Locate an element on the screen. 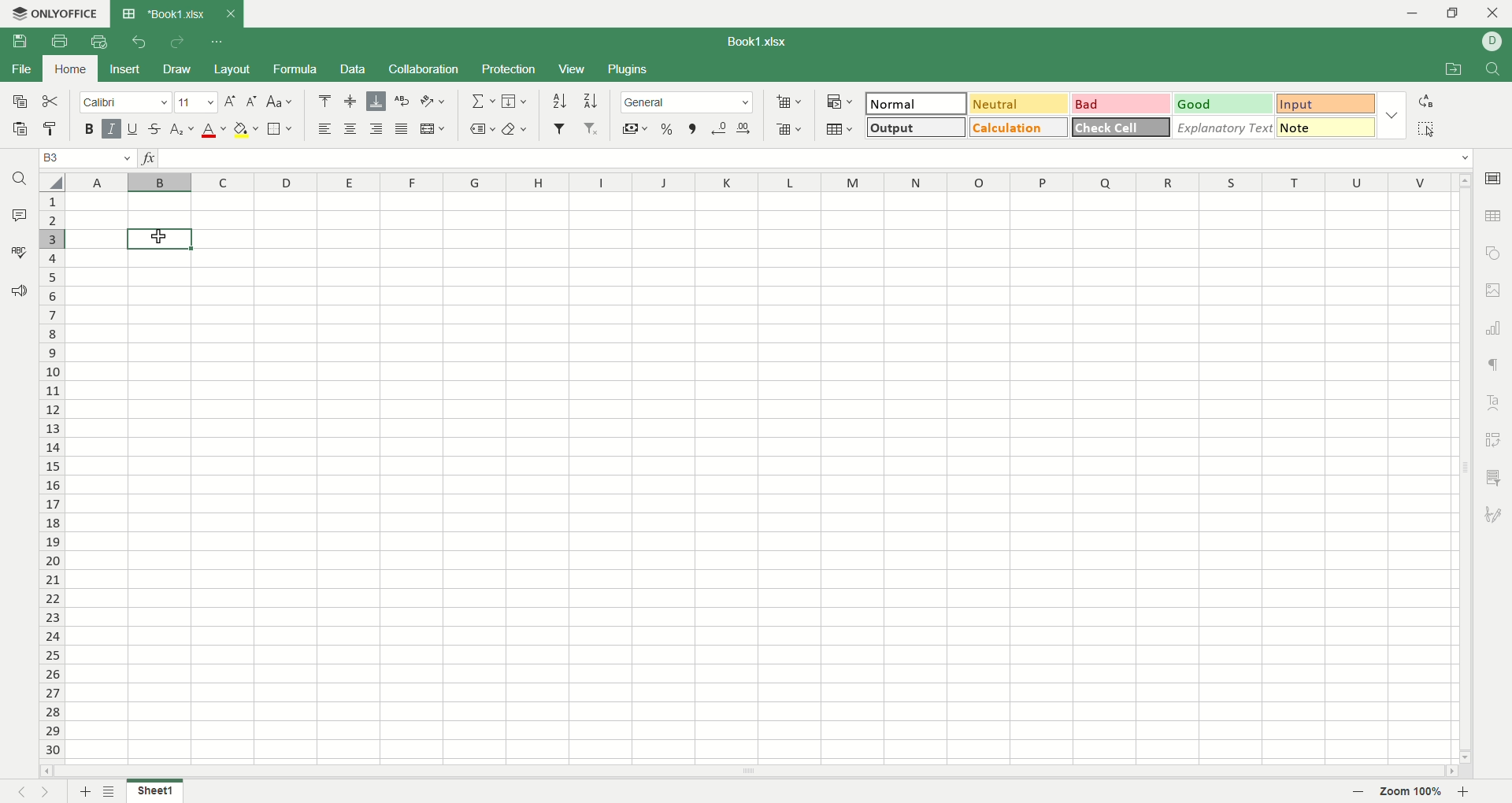 The height and width of the screenshot is (803, 1512). explanatory test is located at coordinates (1225, 128).